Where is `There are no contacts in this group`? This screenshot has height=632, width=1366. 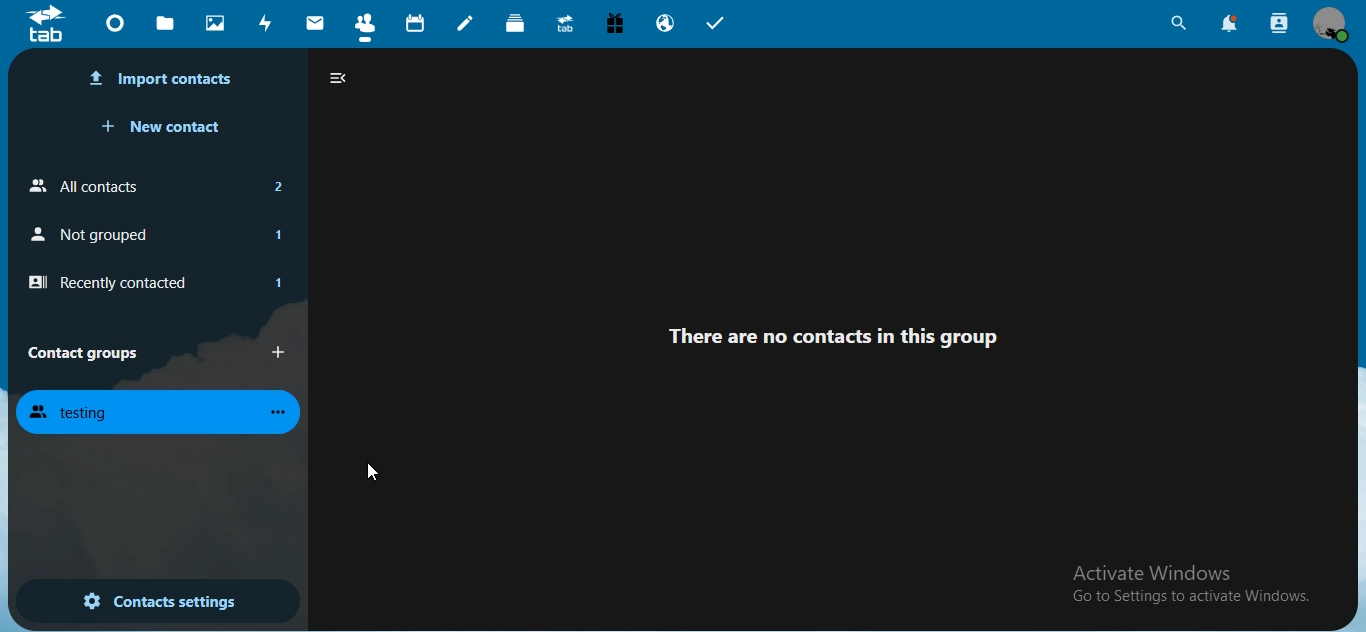 There are no contacts in this group is located at coordinates (848, 333).